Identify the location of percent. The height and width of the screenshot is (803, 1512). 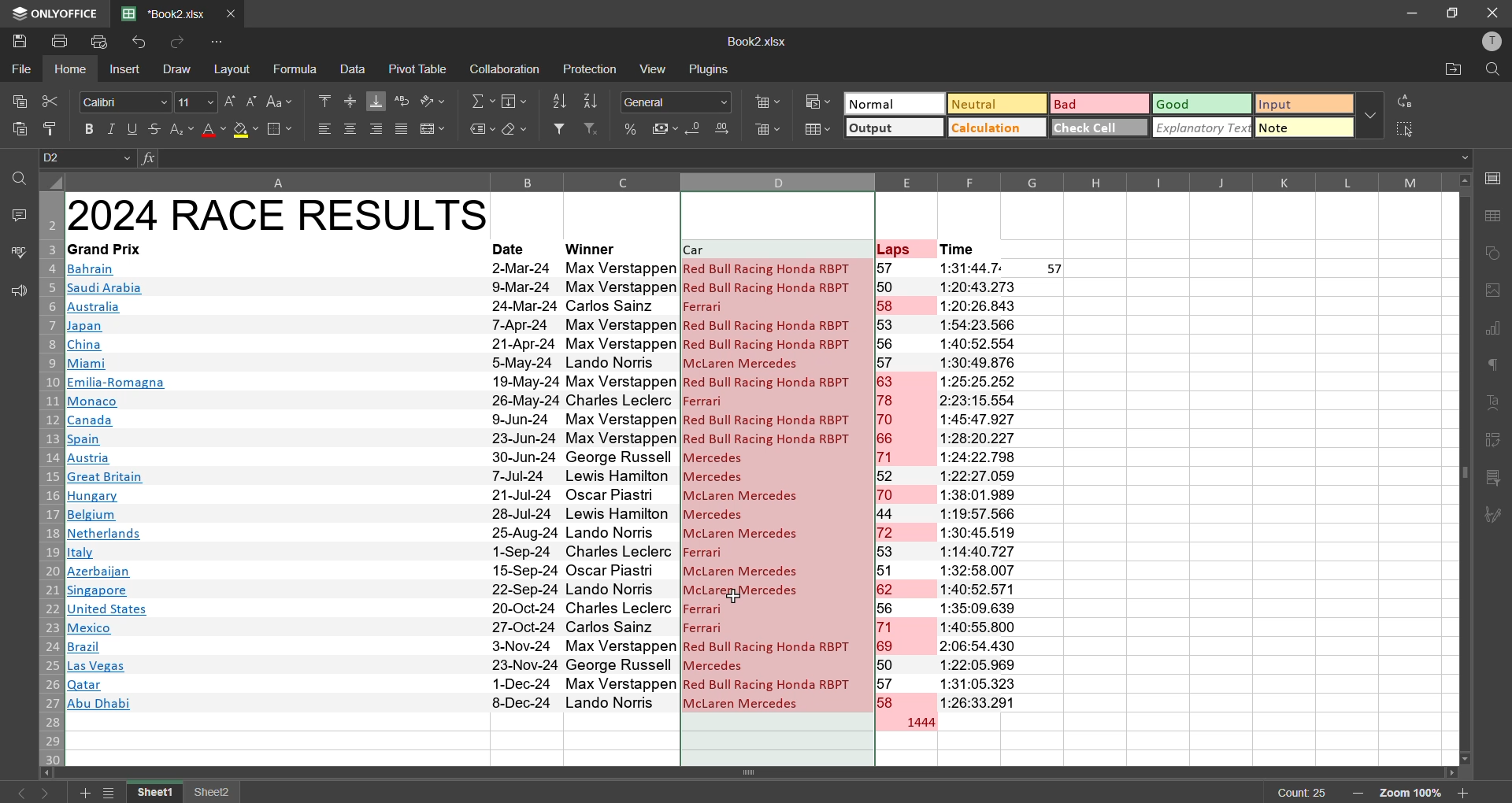
(632, 130).